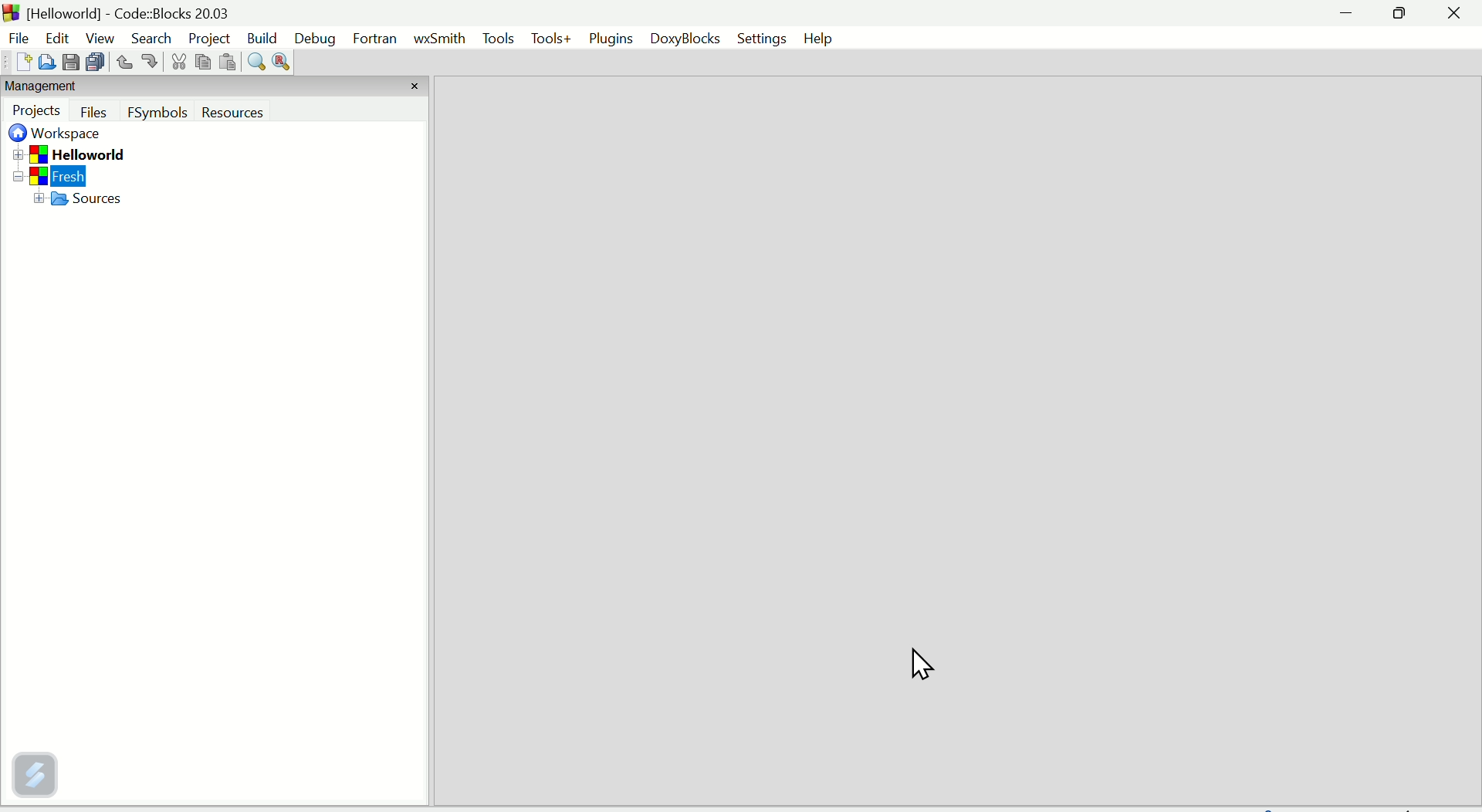 Image resolution: width=1482 pixels, height=812 pixels. I want to click on Project, so click(209, 39).